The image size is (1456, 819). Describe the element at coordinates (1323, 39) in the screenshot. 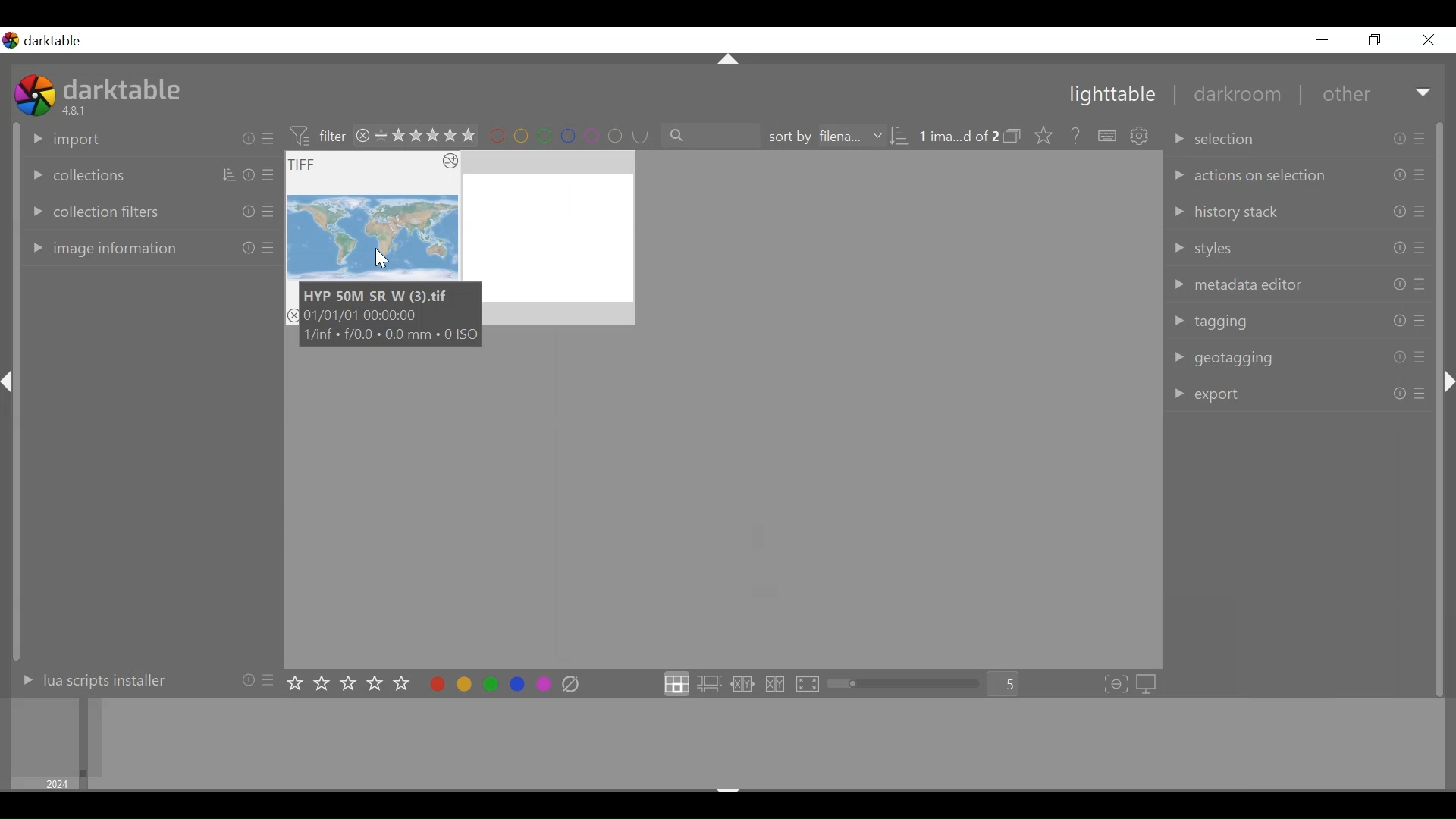

I see `Minimize` at that location.